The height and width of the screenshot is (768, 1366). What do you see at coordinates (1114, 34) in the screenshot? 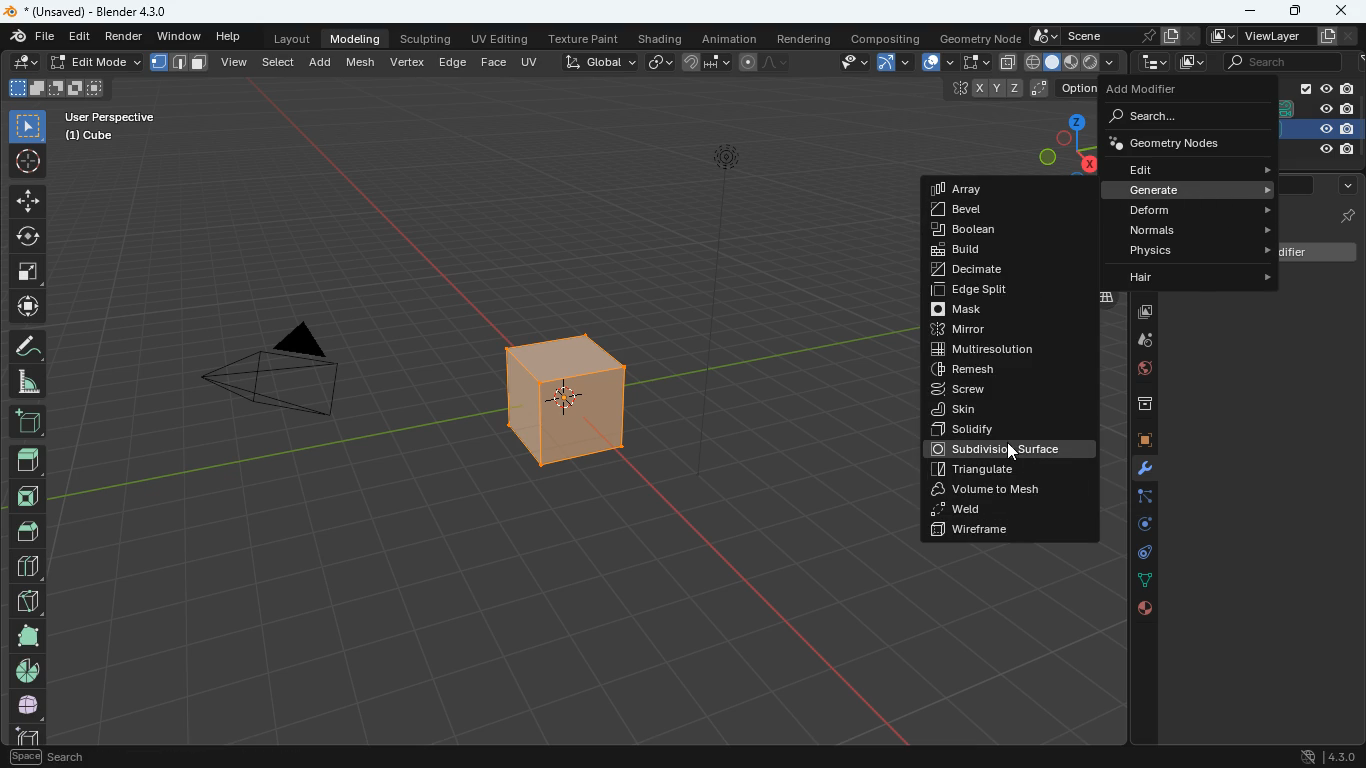
I see `scene` at bounding box center [1114, 34].